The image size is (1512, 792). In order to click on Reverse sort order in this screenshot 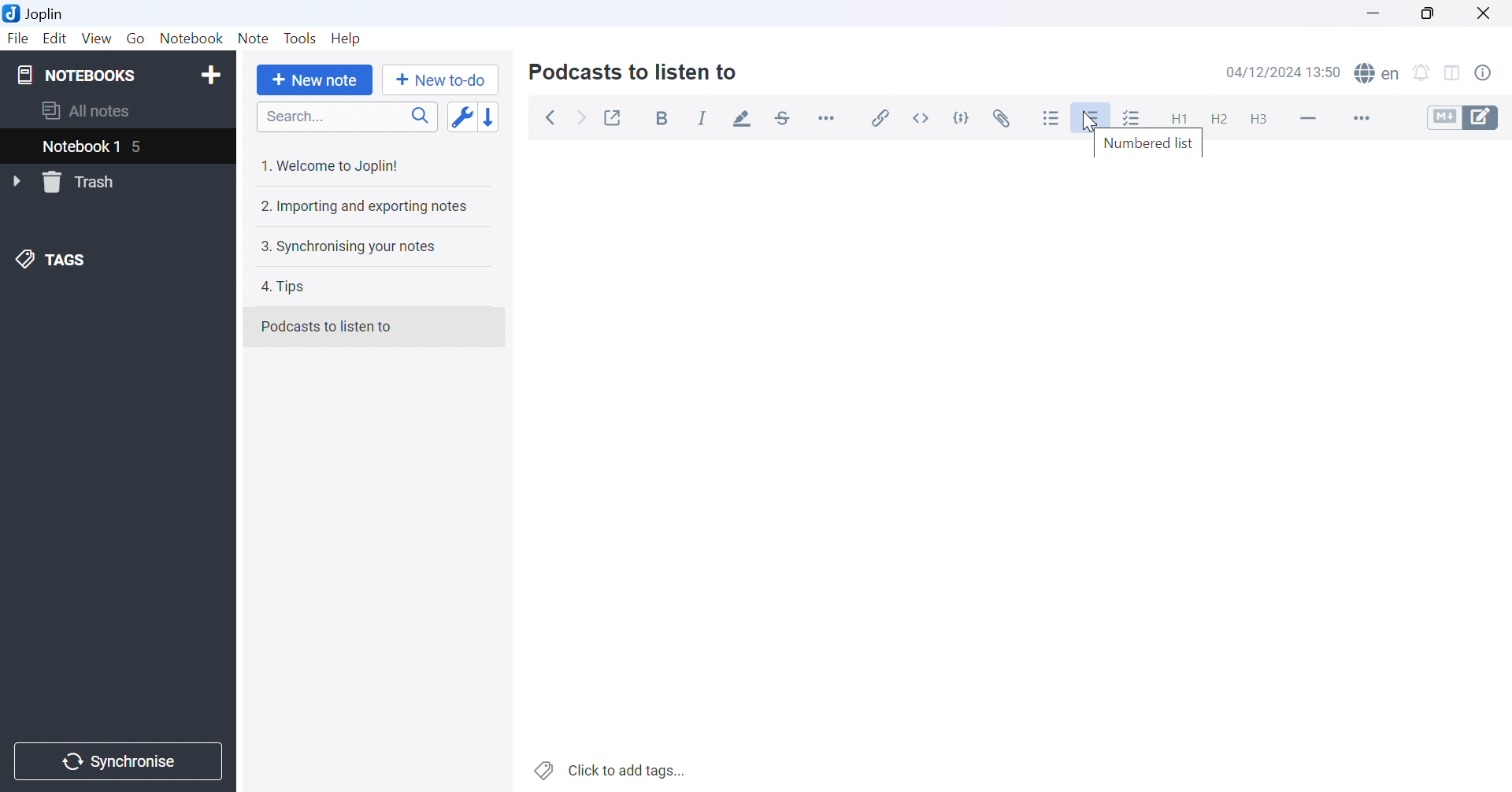, I will do `click(491, 117)`.